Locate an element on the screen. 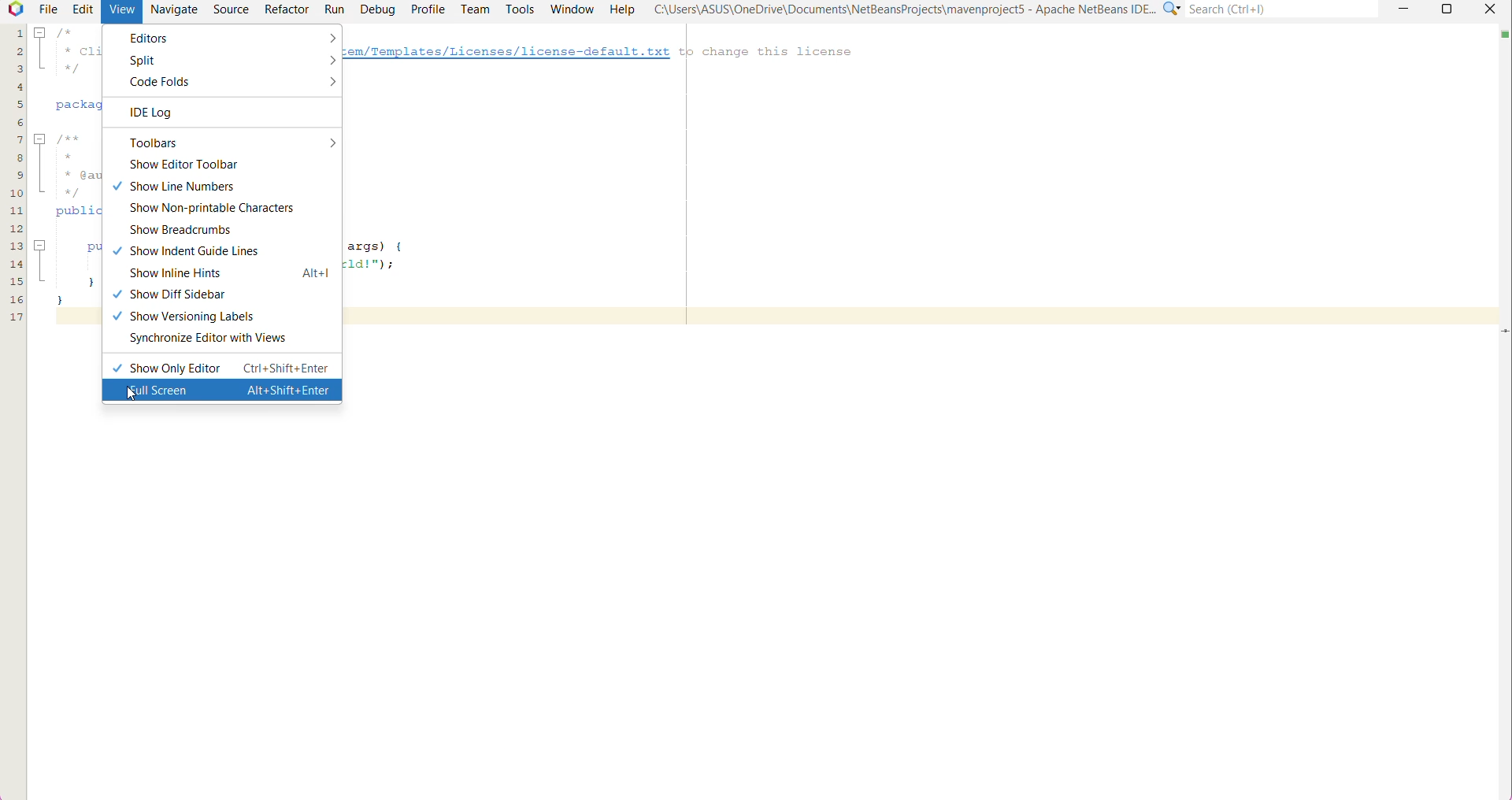  lines of code is located at coordinates (13, 180).